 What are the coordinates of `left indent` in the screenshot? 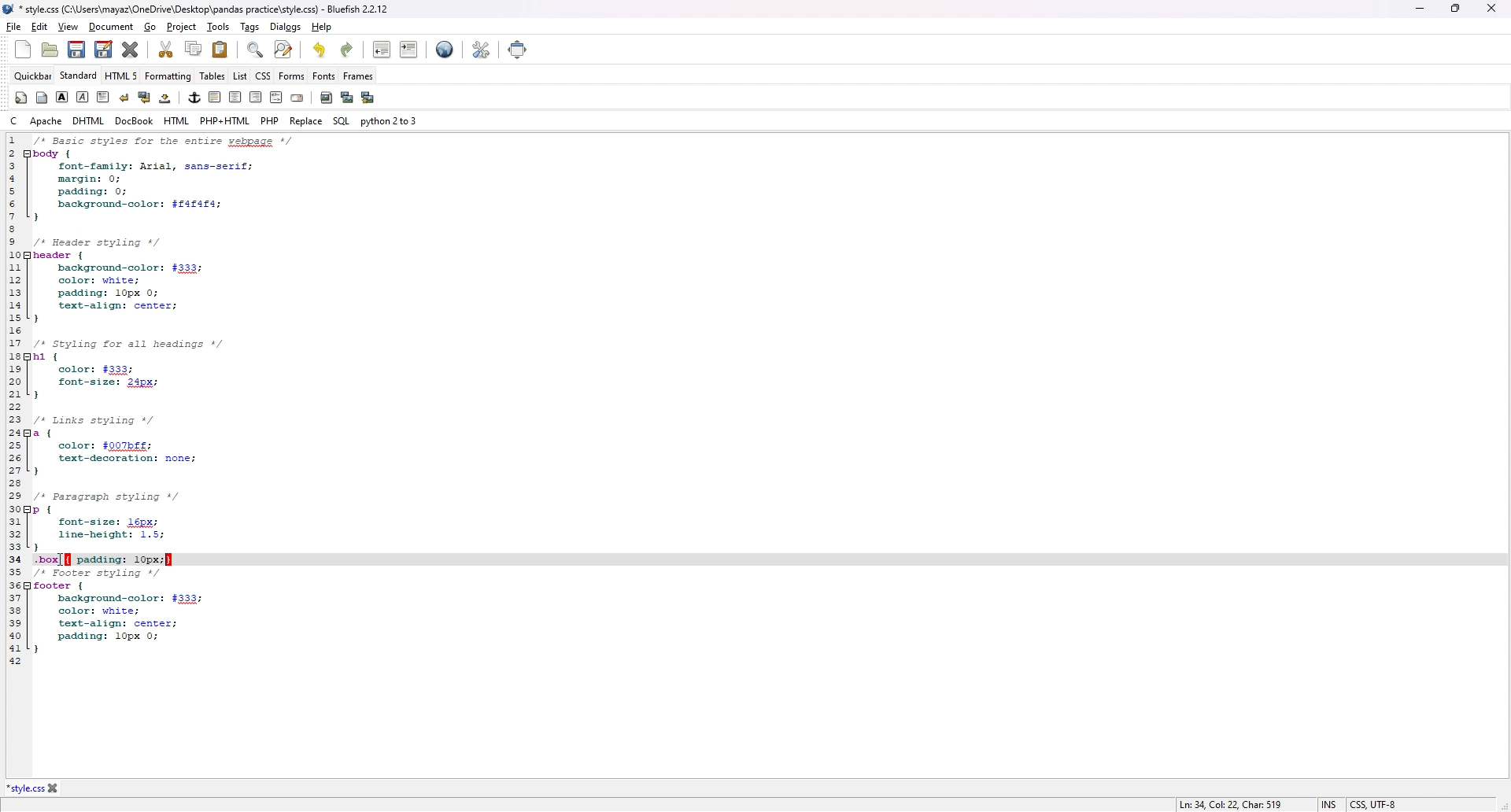 It's located at (256, 97).